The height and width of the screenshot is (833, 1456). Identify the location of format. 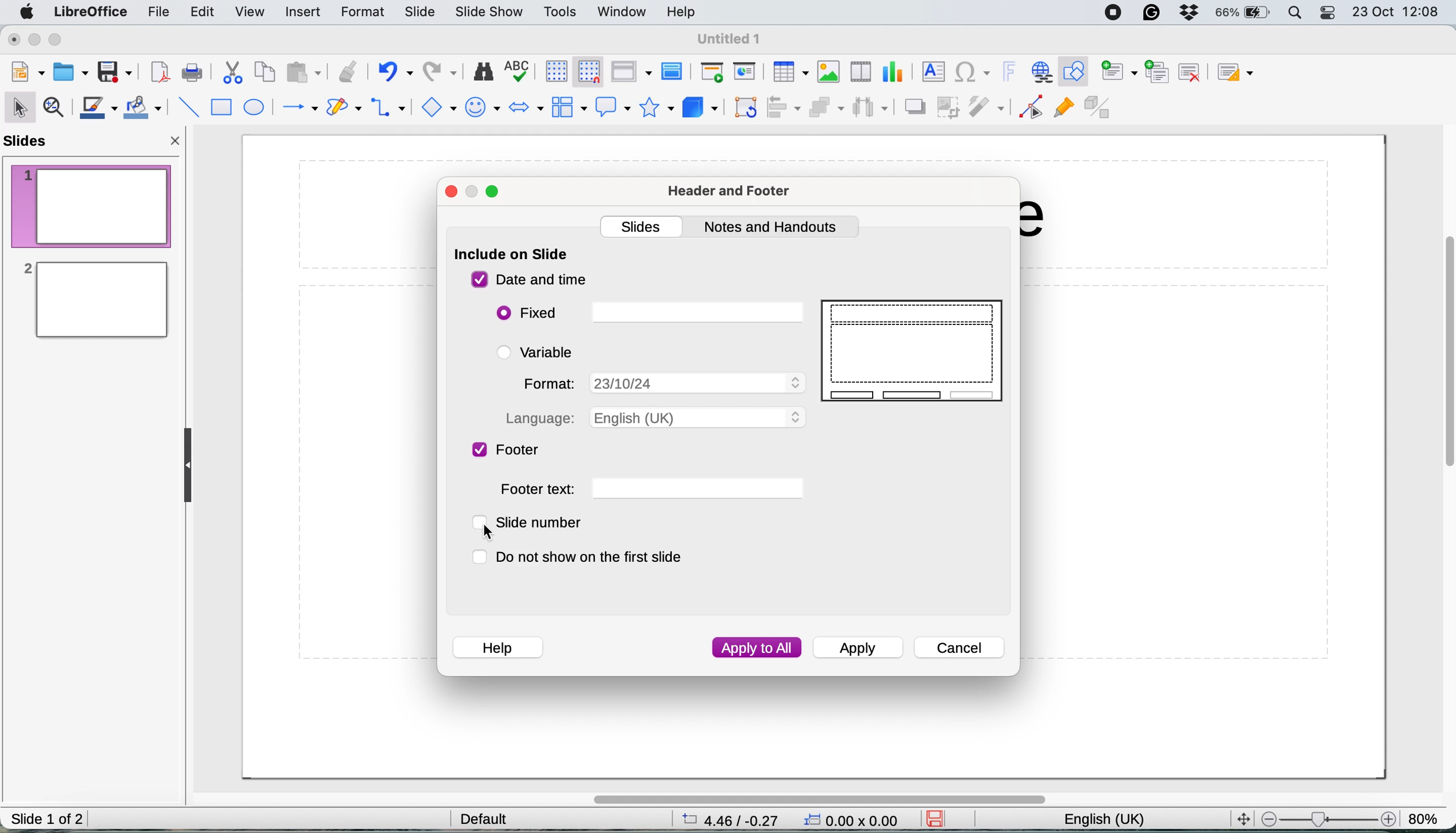
(661, 382).